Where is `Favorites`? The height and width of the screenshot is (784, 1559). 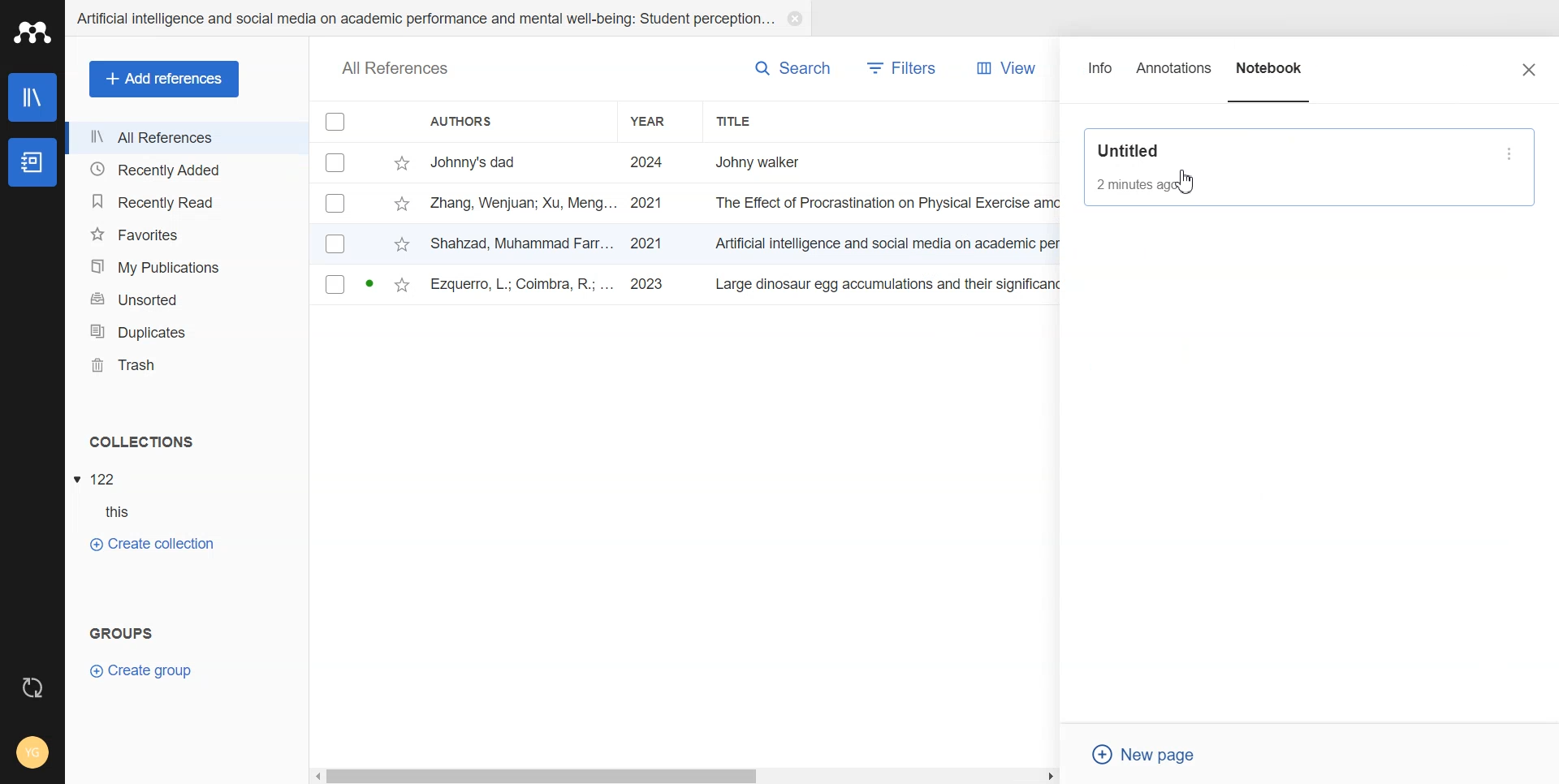
Favorites is located at coordinates (186, 235).